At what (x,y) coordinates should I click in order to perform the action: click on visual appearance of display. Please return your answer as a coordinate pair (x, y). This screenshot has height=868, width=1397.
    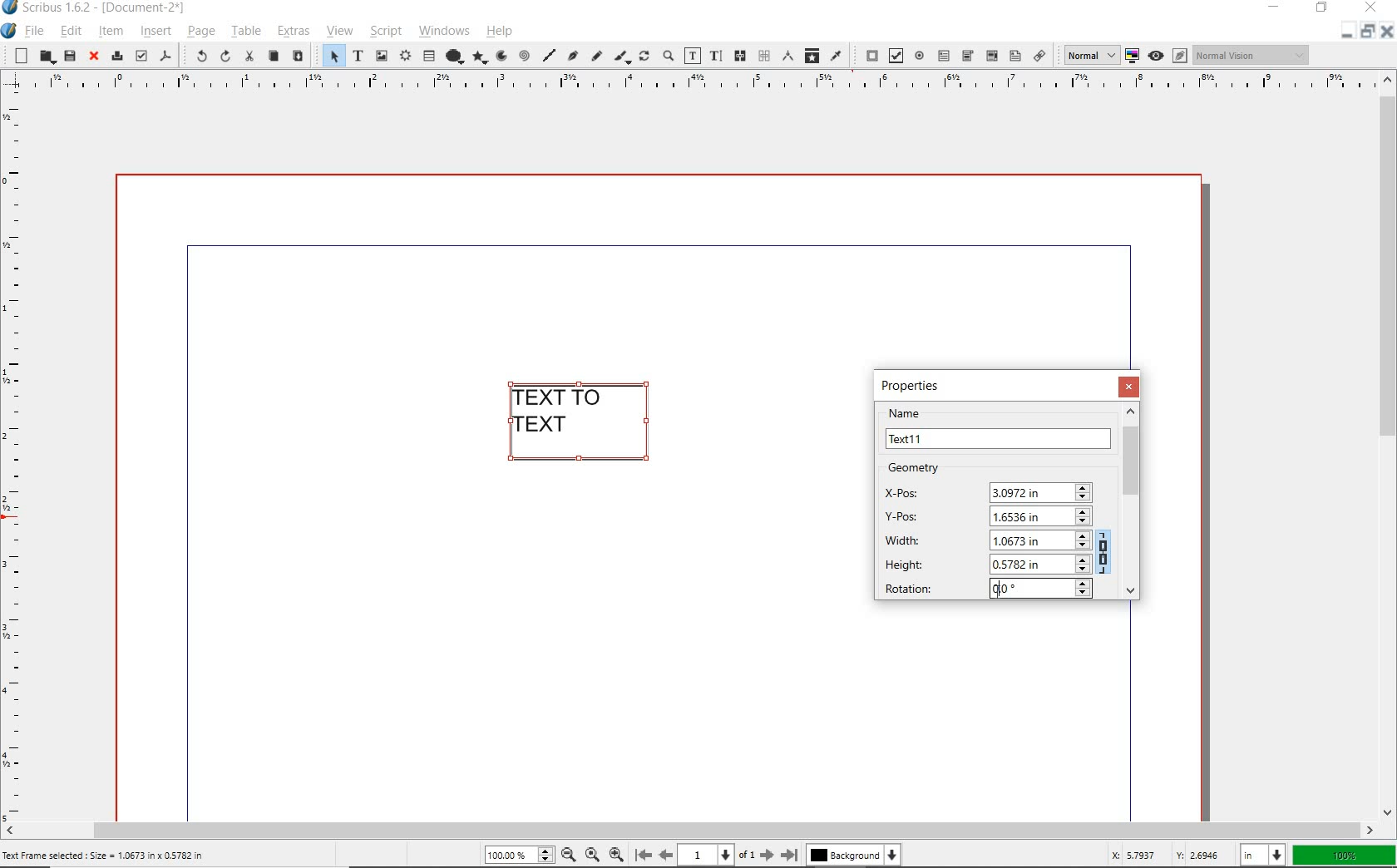
    Looking at the image, I should click on (1251, 55).